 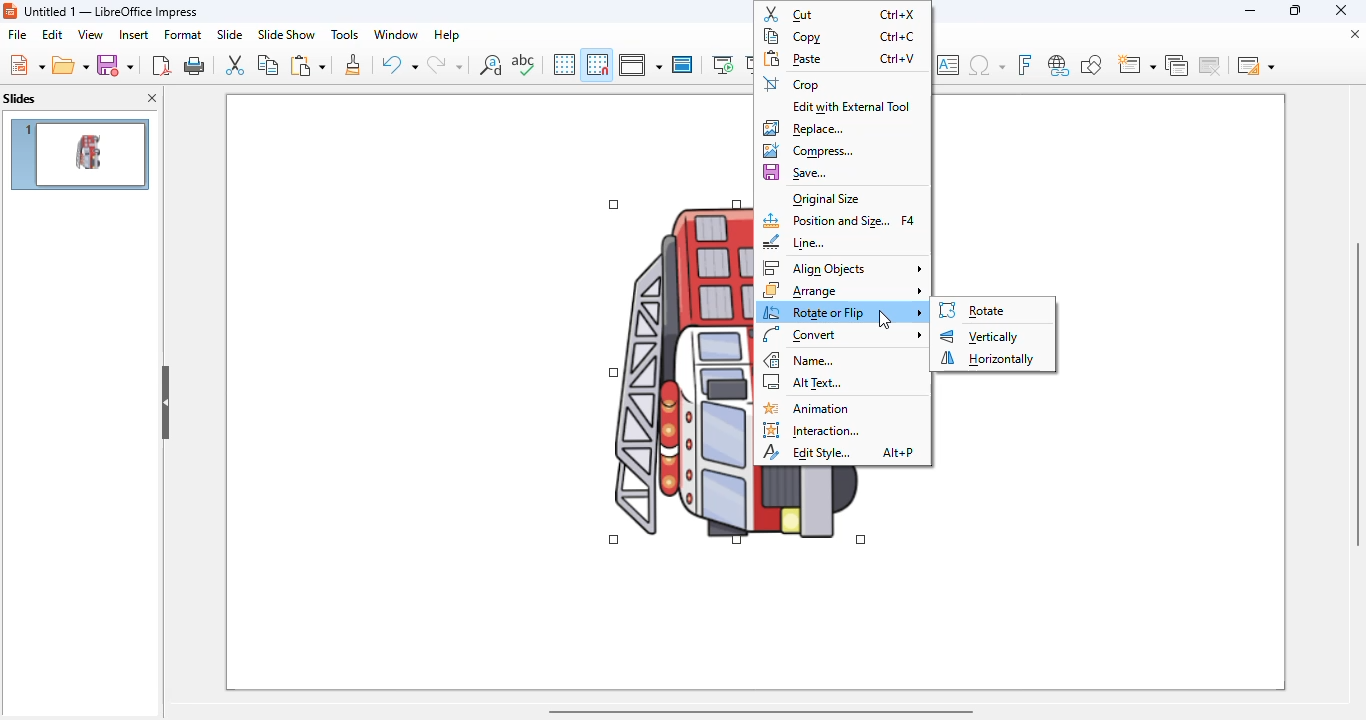 I want to click on edit with external tool, so click(x=851, y=107).